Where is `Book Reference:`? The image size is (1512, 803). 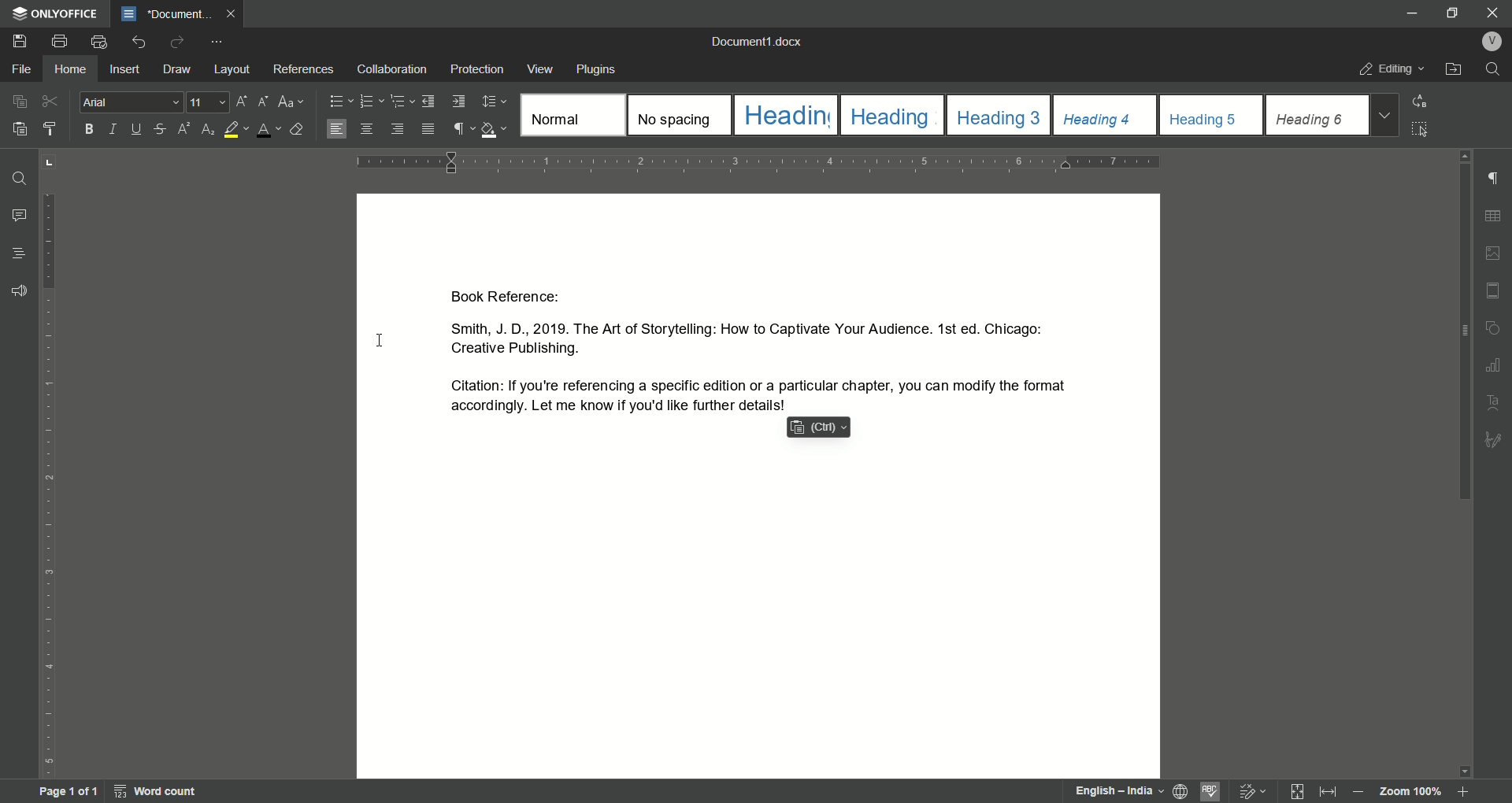 Book Reference: is located at coordinates (515, 297).